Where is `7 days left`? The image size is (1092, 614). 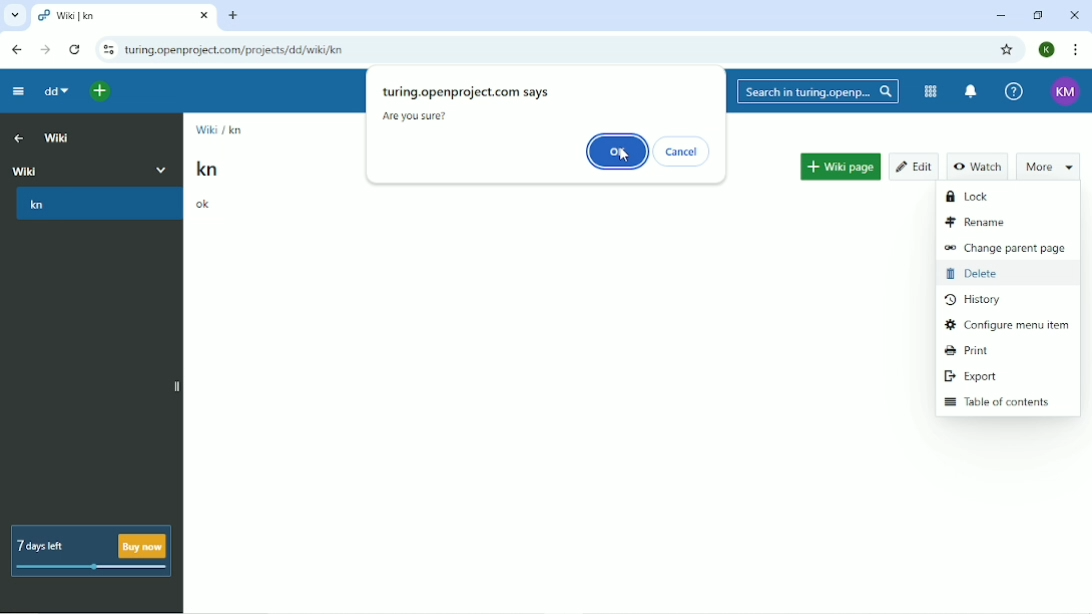
7 days left is located at coordinates (54, 539).